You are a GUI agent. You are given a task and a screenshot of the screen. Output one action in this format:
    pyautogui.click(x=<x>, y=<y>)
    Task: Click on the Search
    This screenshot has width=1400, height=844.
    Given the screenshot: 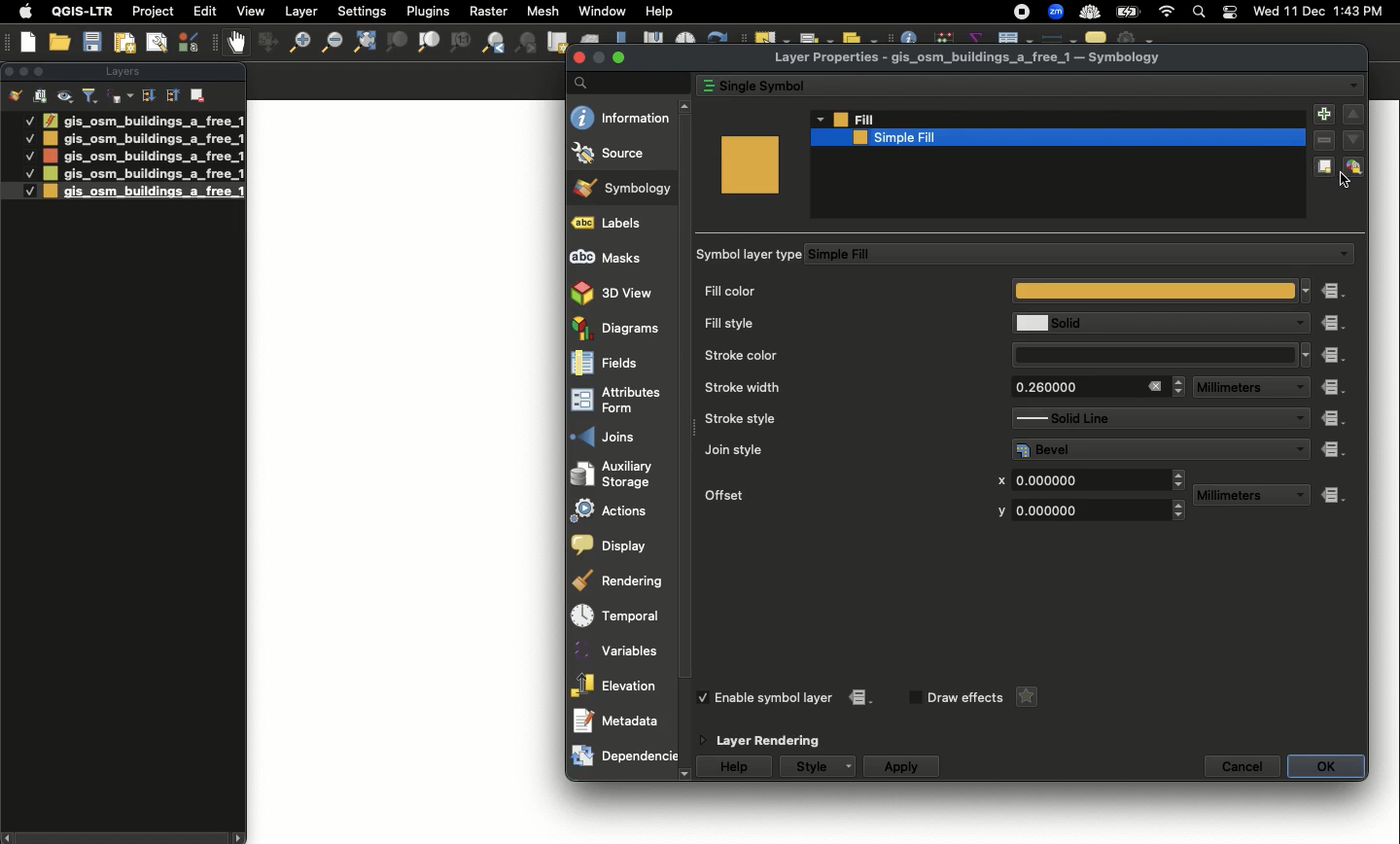 What is the action you would take?
    pyautogui.click(x=1197, y=14)
    